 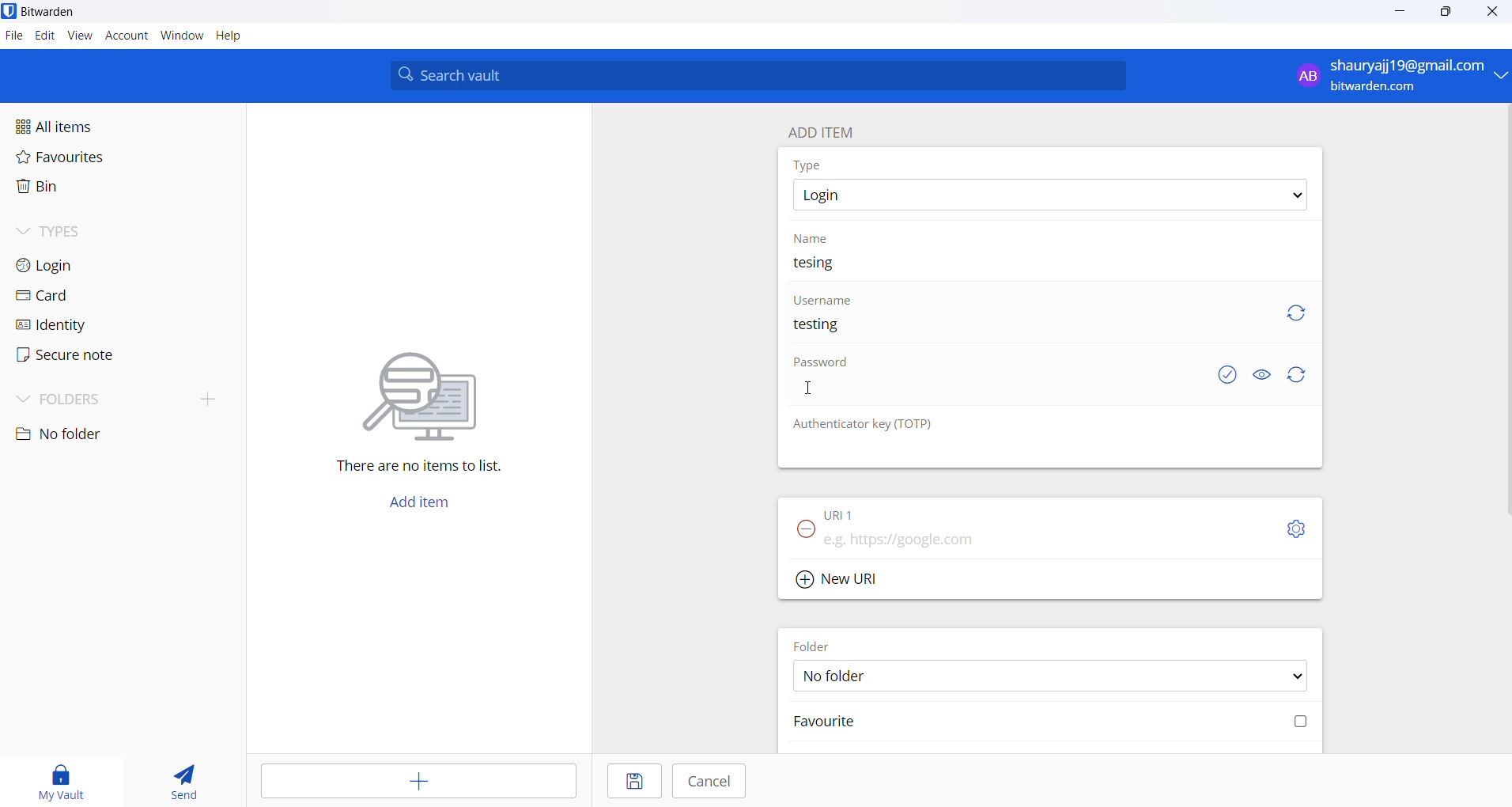 What do you see at coordinates (63, 297) in the screenshot?
I see `card` at bounding box center [63, 297].